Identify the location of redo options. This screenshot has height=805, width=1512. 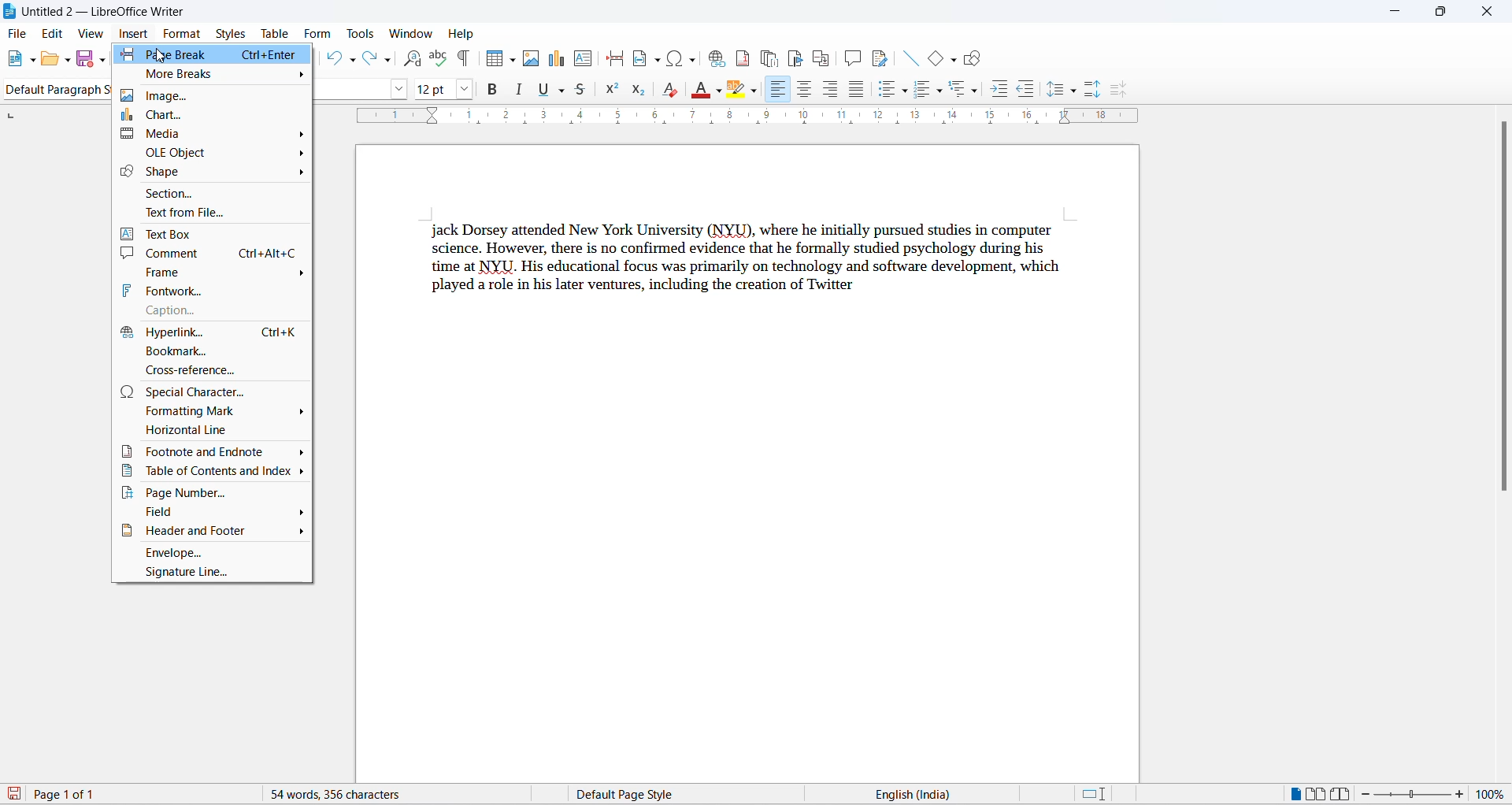
(389, 61).